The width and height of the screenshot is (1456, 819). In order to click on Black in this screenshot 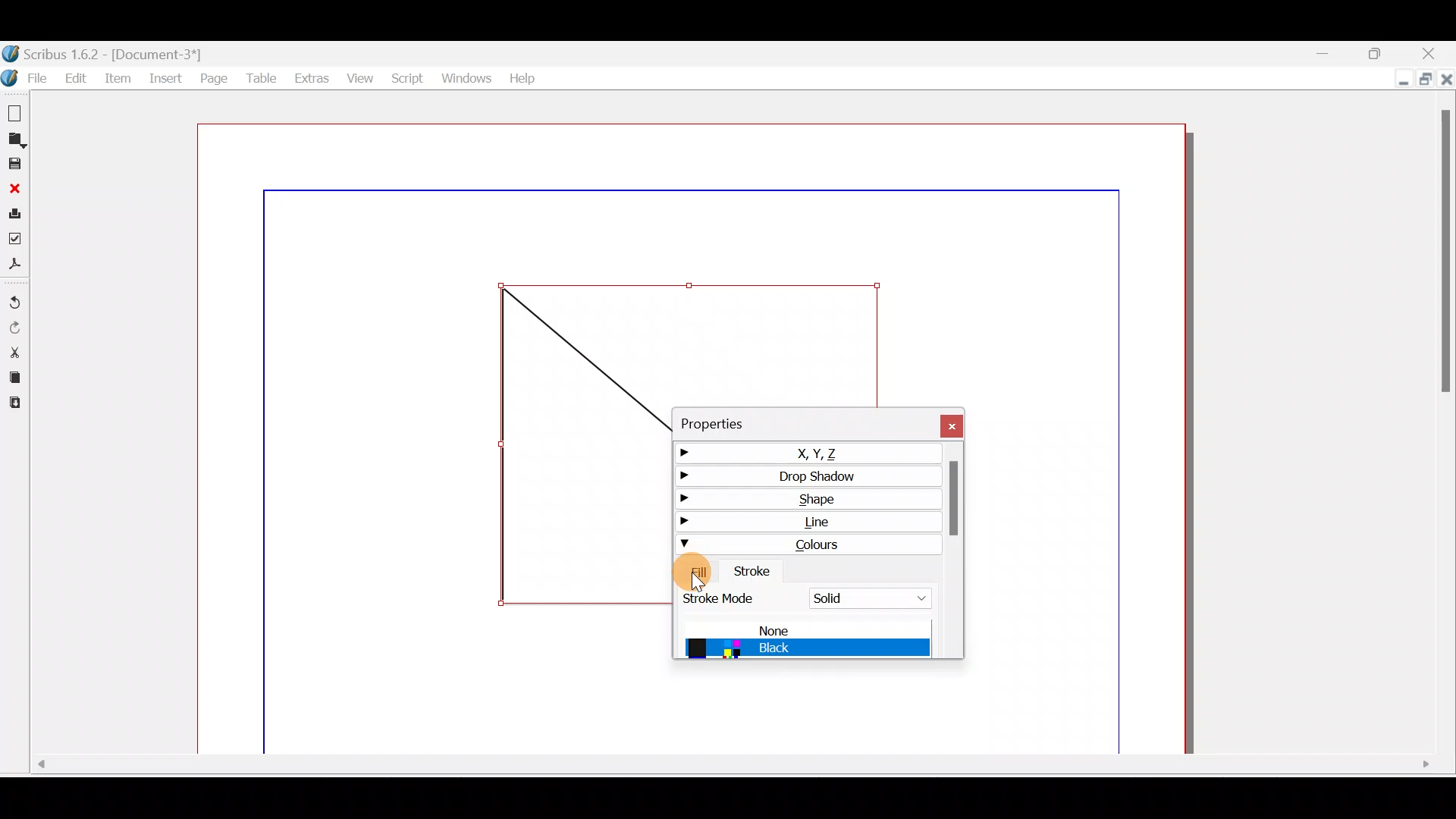, I will do `click(806, 650)`.